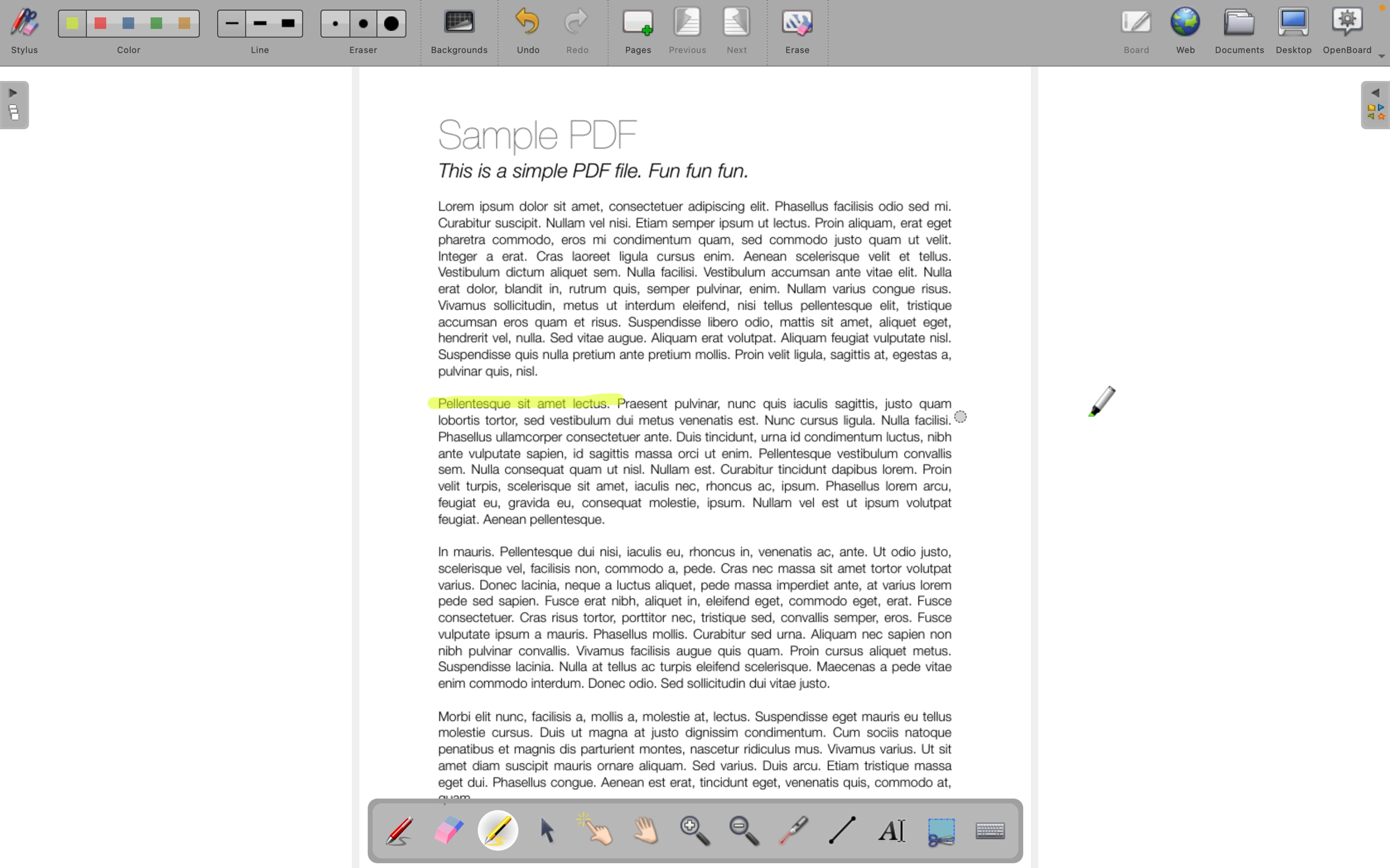 The image size is (1390, 868). What do you see at coordinates (638, 33) in the screenshot?
I see `pages` at bounding box center [638, 33].